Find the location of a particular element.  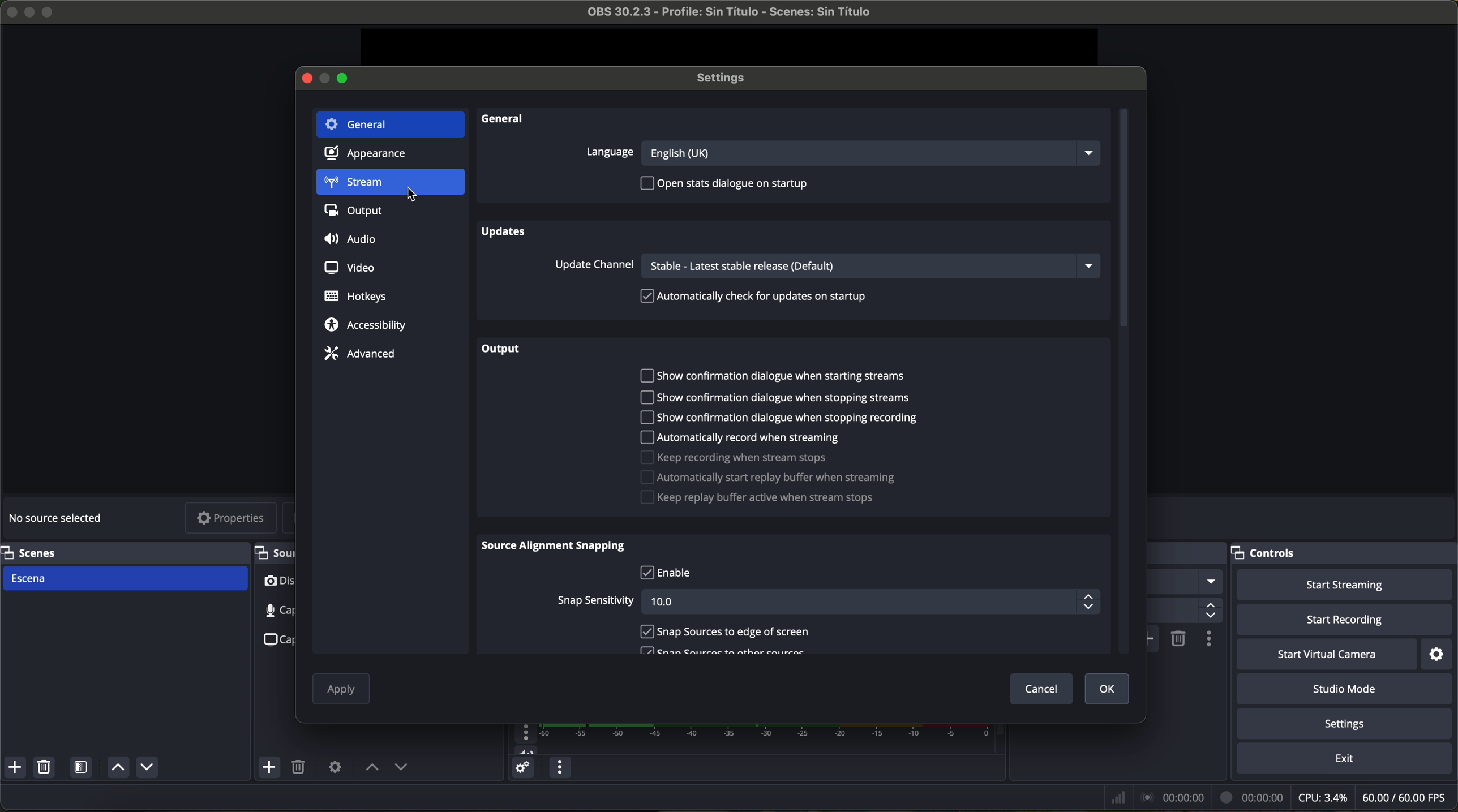

add sources is located at coordinates (271, 768).